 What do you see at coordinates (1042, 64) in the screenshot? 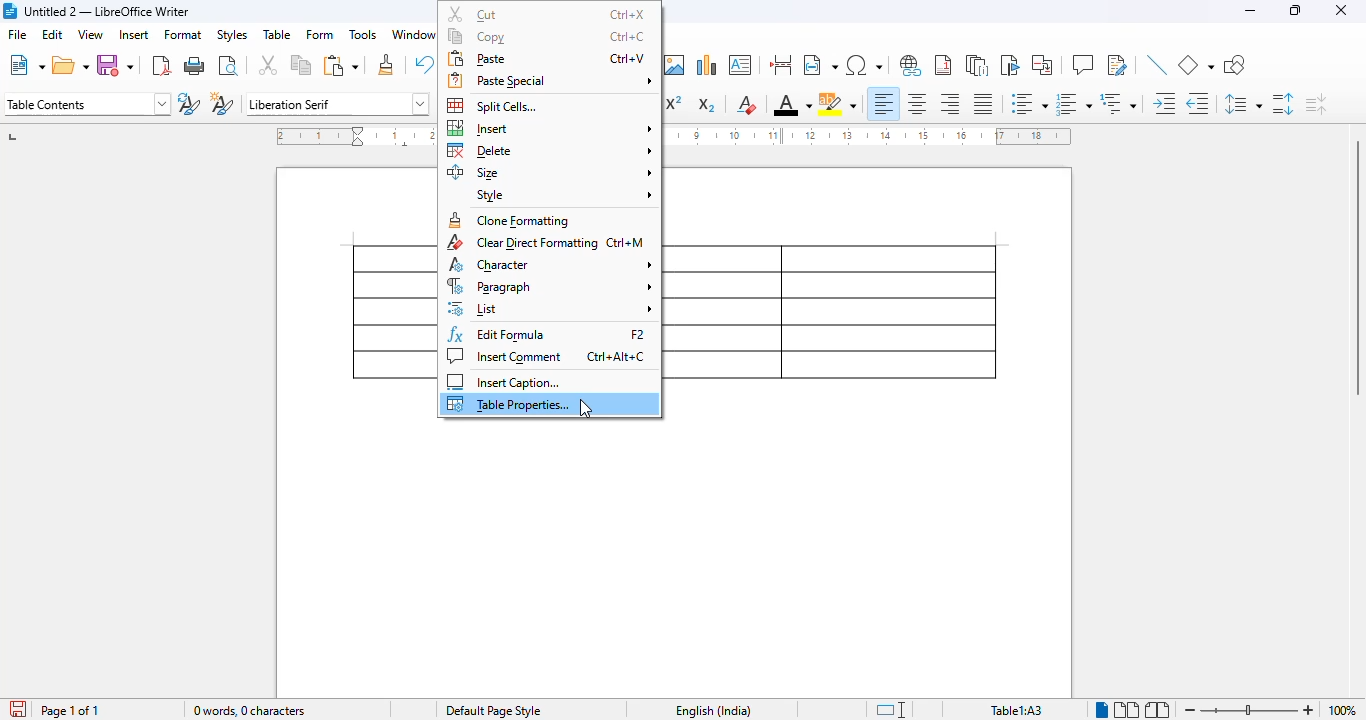
I see `insert cross-reference` at bounding box center [1042, 64].